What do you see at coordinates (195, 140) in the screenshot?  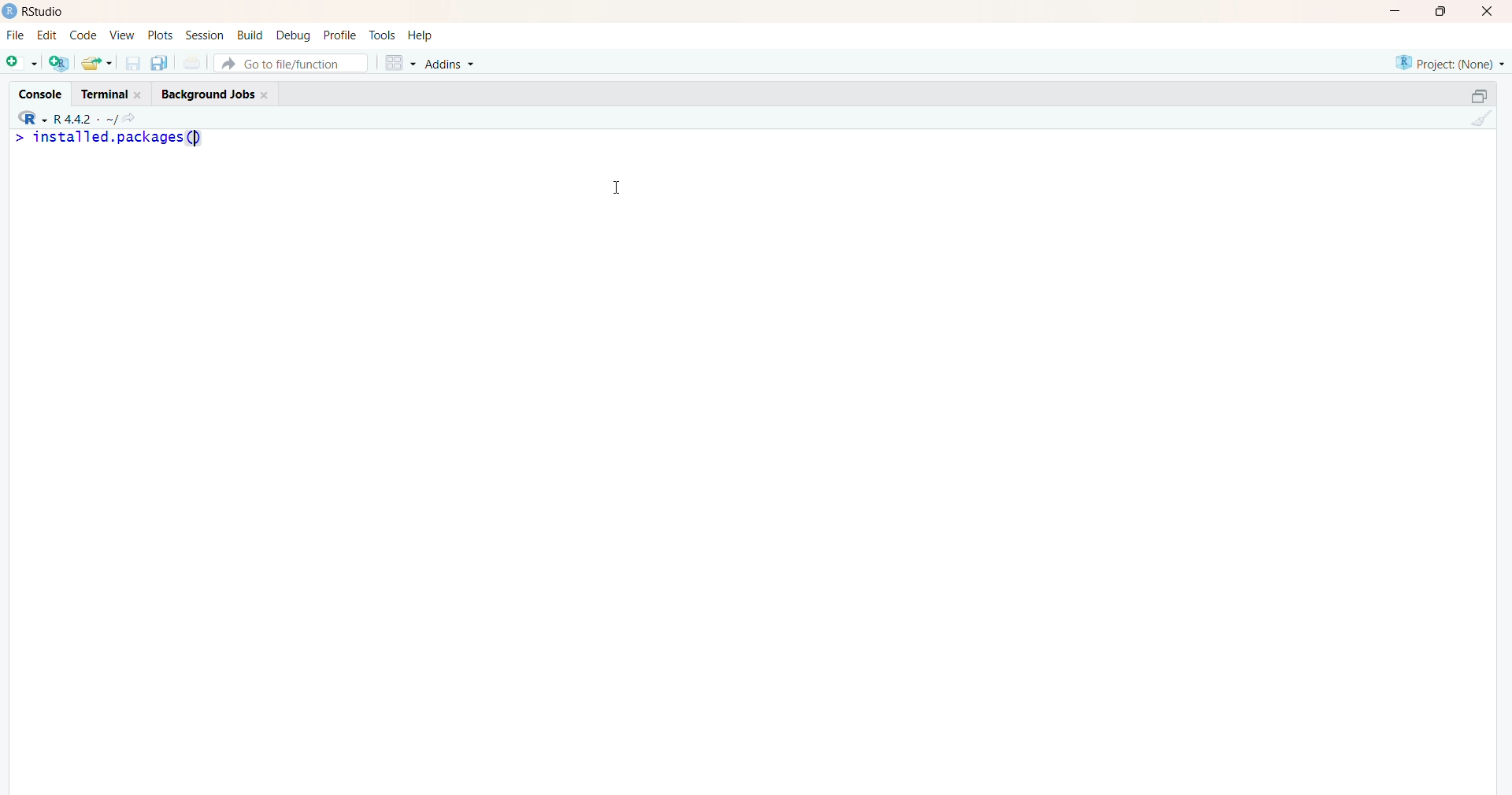 I see `text cursor` at bounding box center [195, 140].